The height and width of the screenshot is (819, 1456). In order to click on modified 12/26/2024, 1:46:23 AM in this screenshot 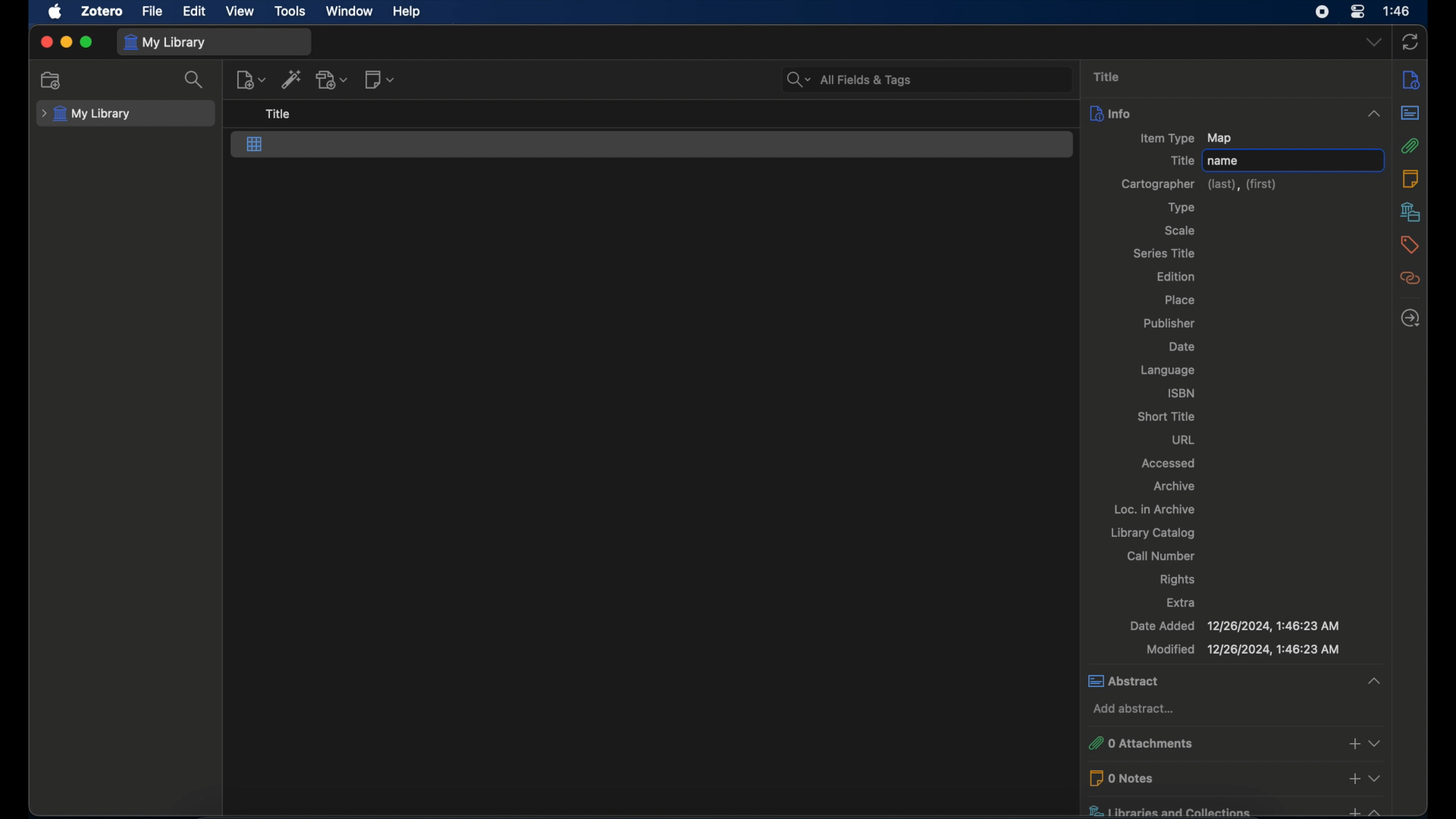, I will do `click(1241, 649)`.